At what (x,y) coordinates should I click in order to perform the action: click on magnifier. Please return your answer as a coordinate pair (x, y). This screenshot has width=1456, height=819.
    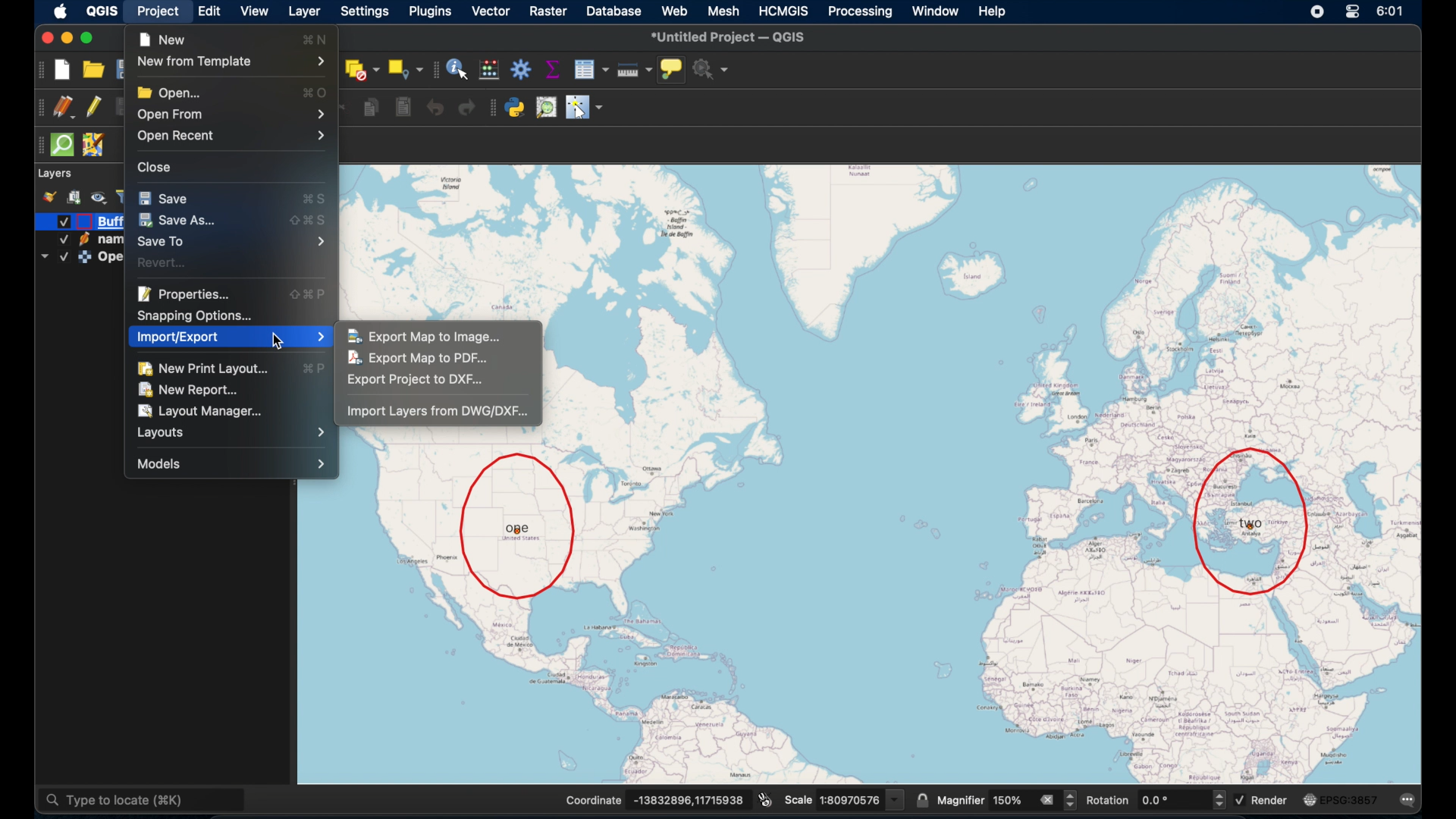
    Looking at the image, I should click on (962, 801).